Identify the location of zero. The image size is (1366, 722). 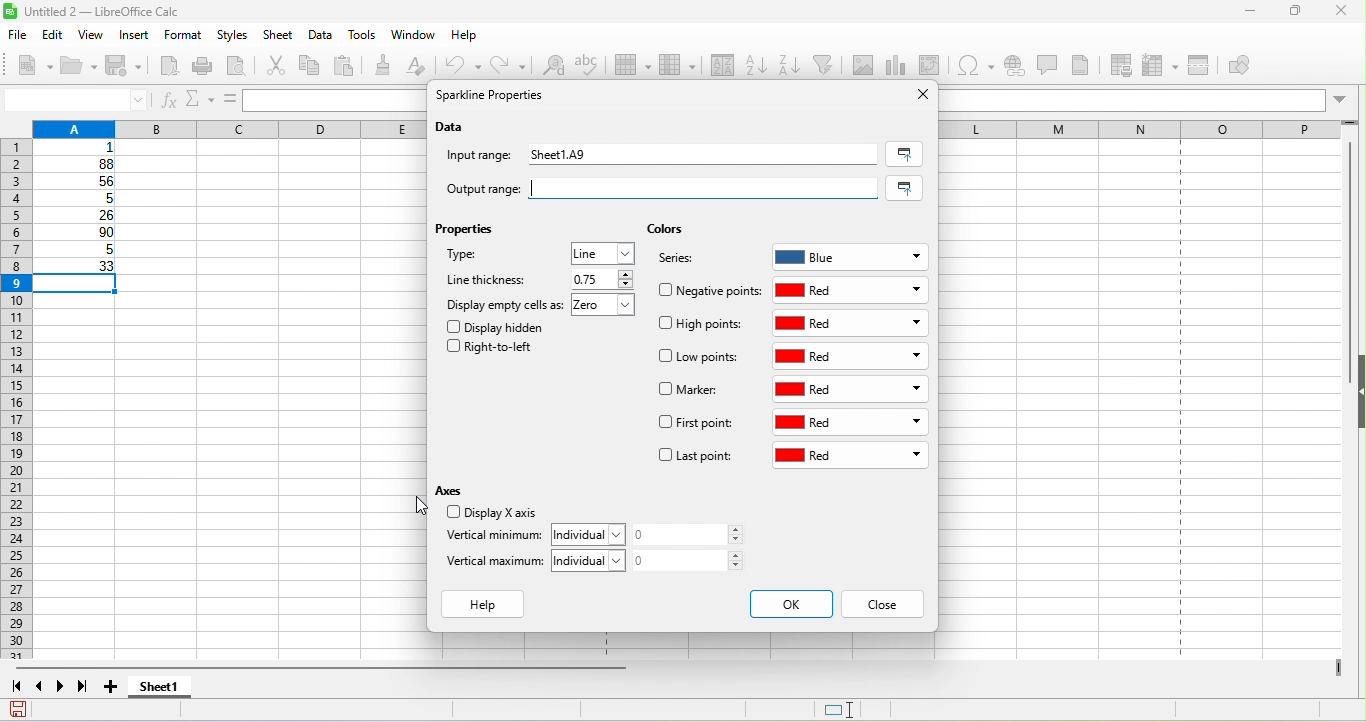
(608, 307).